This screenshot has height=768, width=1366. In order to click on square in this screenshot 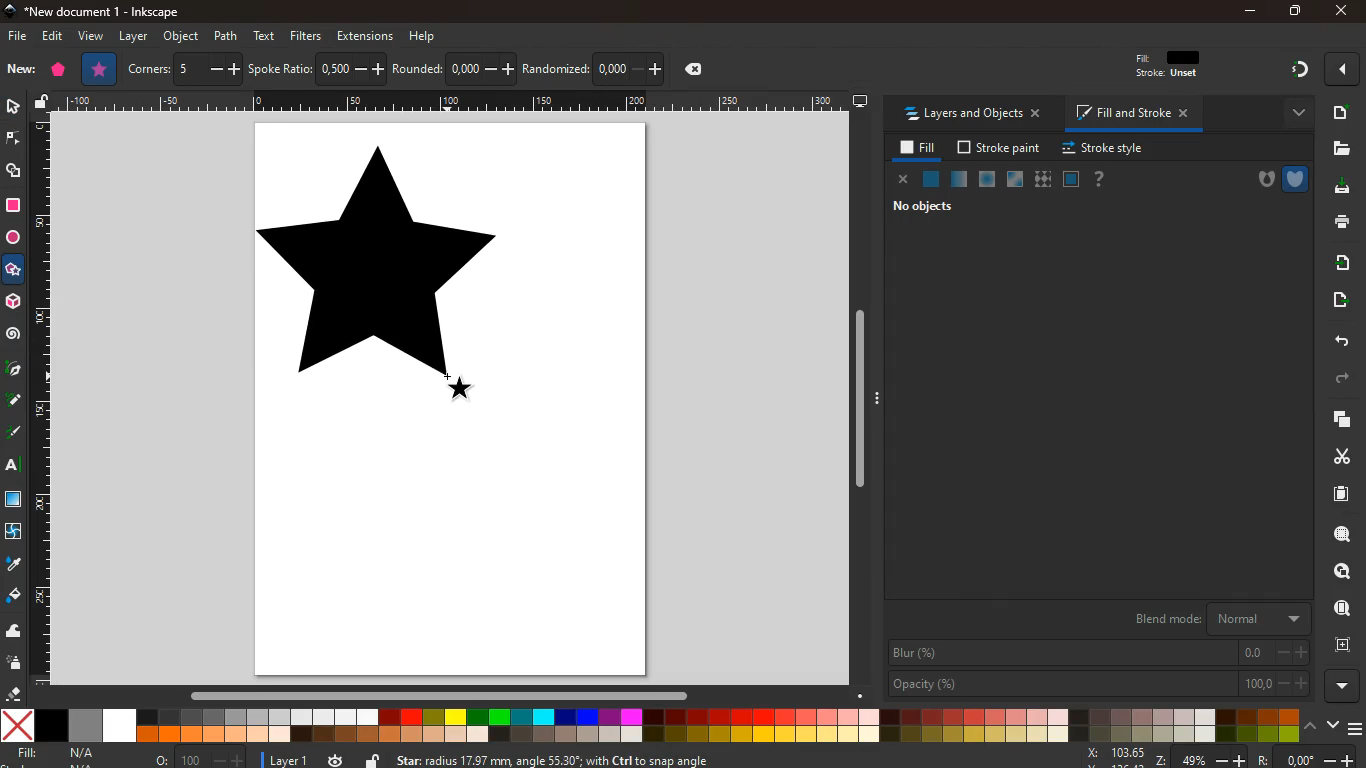, I will do `click(15, 207)`.